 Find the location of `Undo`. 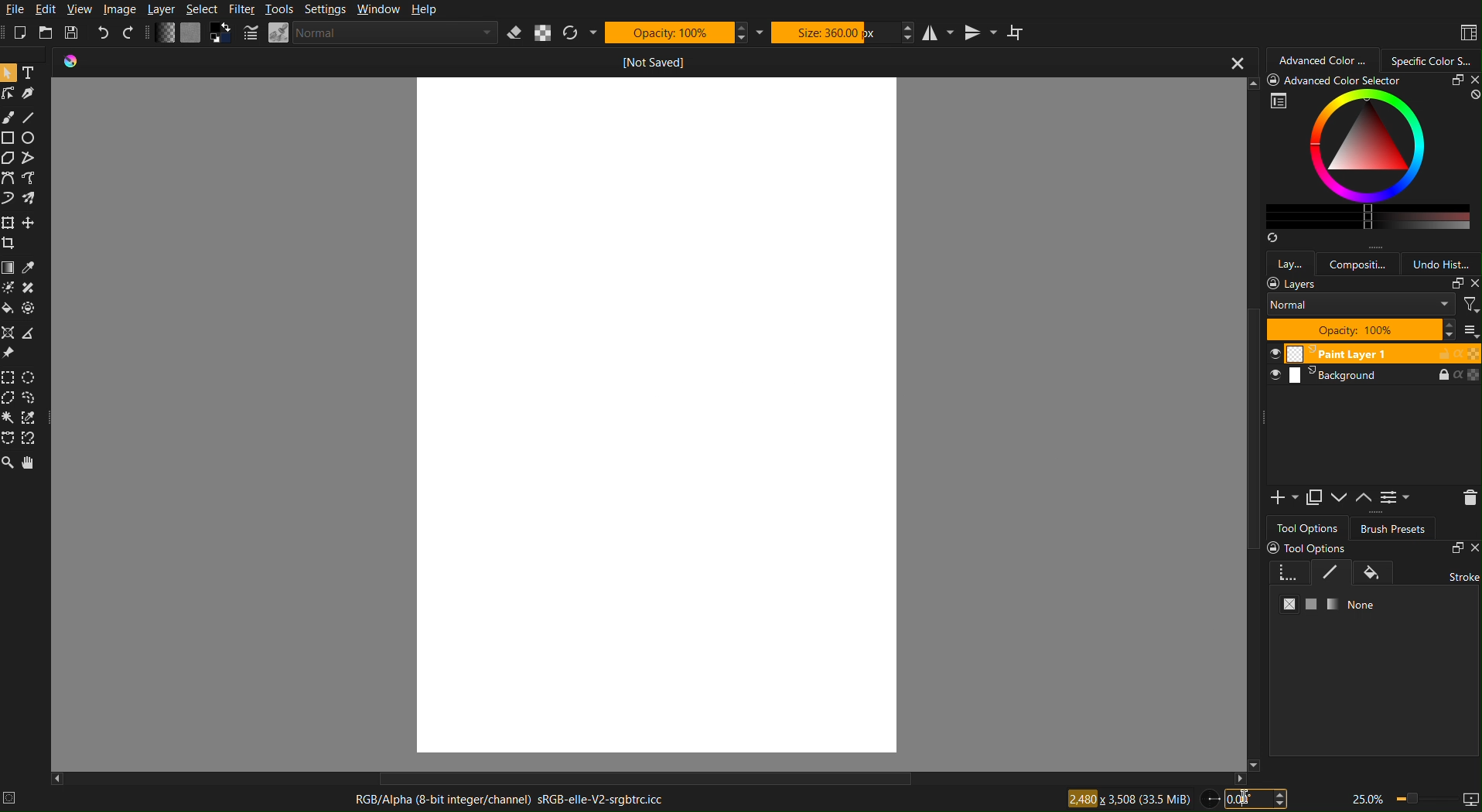

Undo is located at coordinates (103, 33).